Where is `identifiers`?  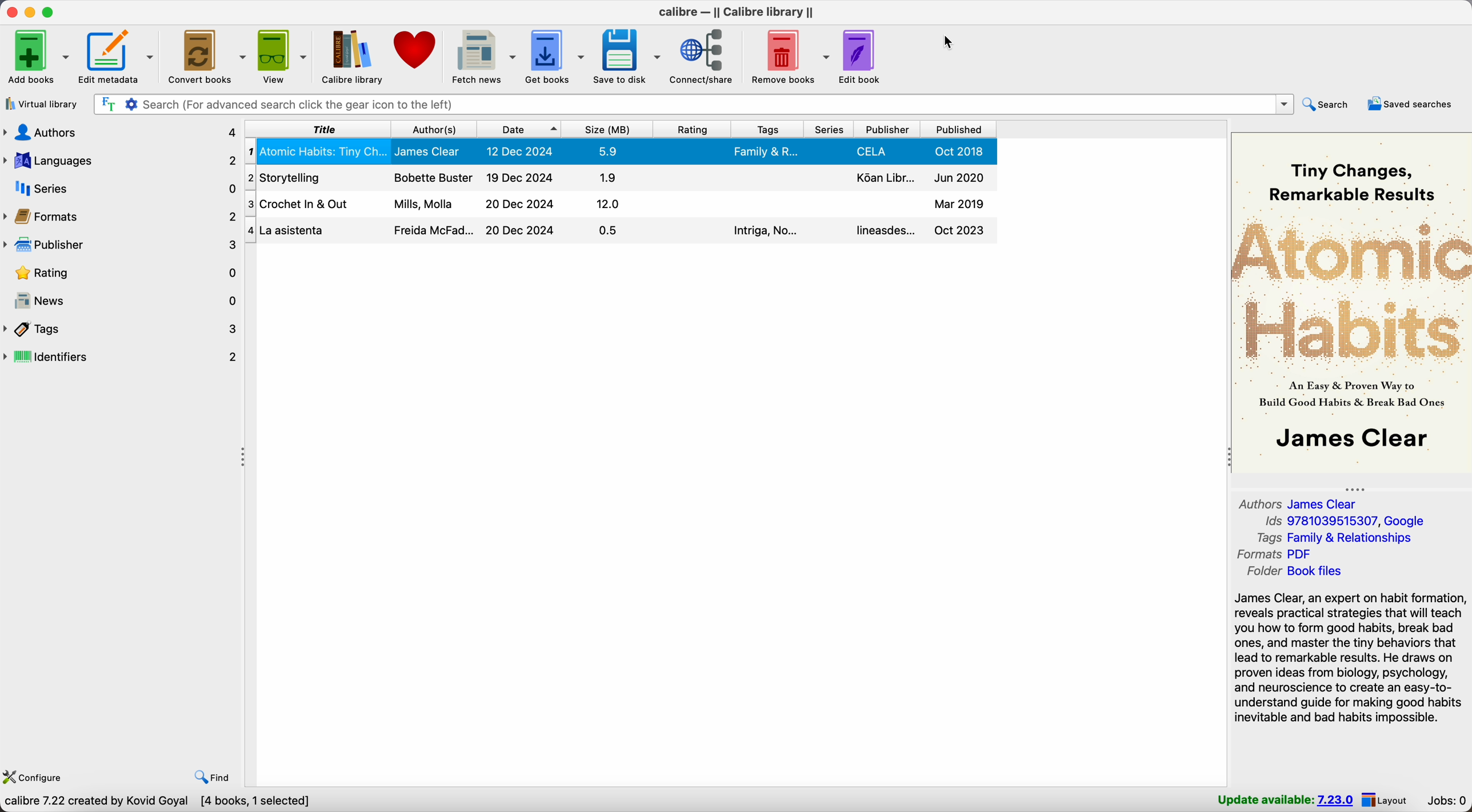
identifiers is located at coordinates (122, 358).